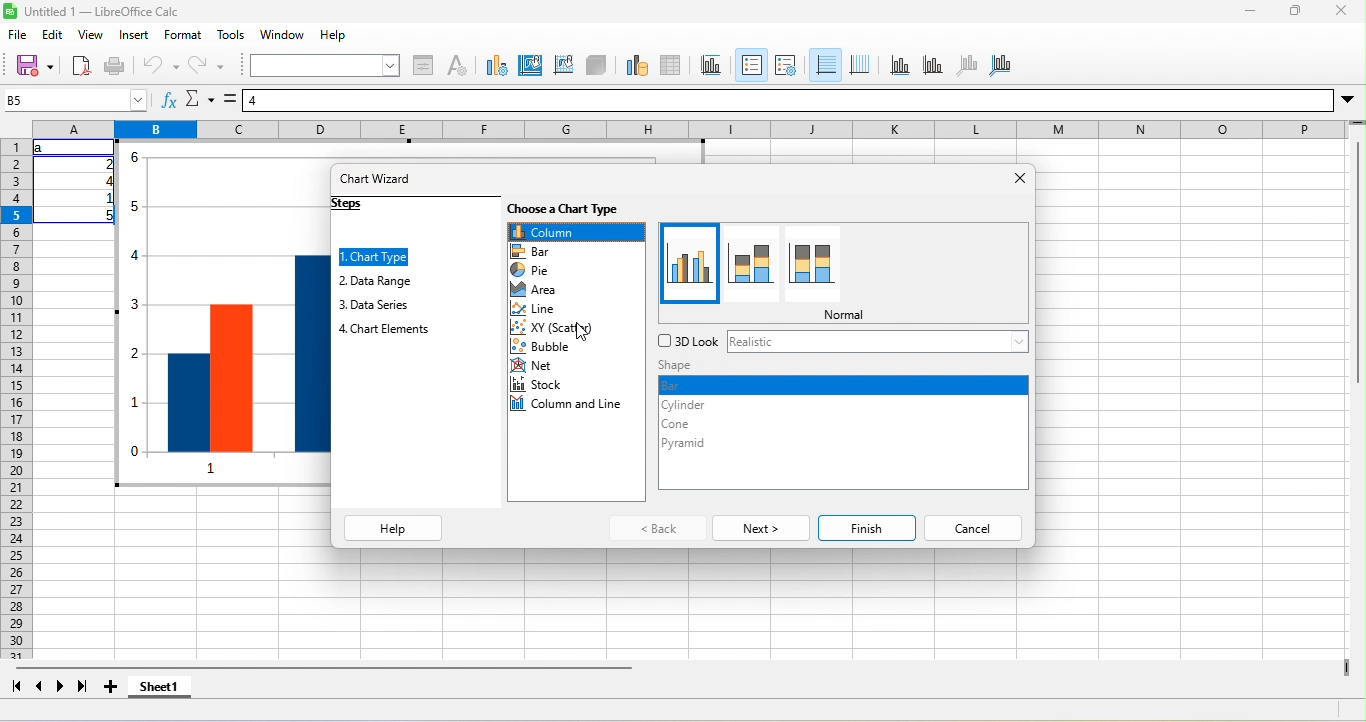 The height and width of the screenshot is (722, 1366). Describe the element at coordinates (348, 204) in the screenshot. I see `steps` at that location.